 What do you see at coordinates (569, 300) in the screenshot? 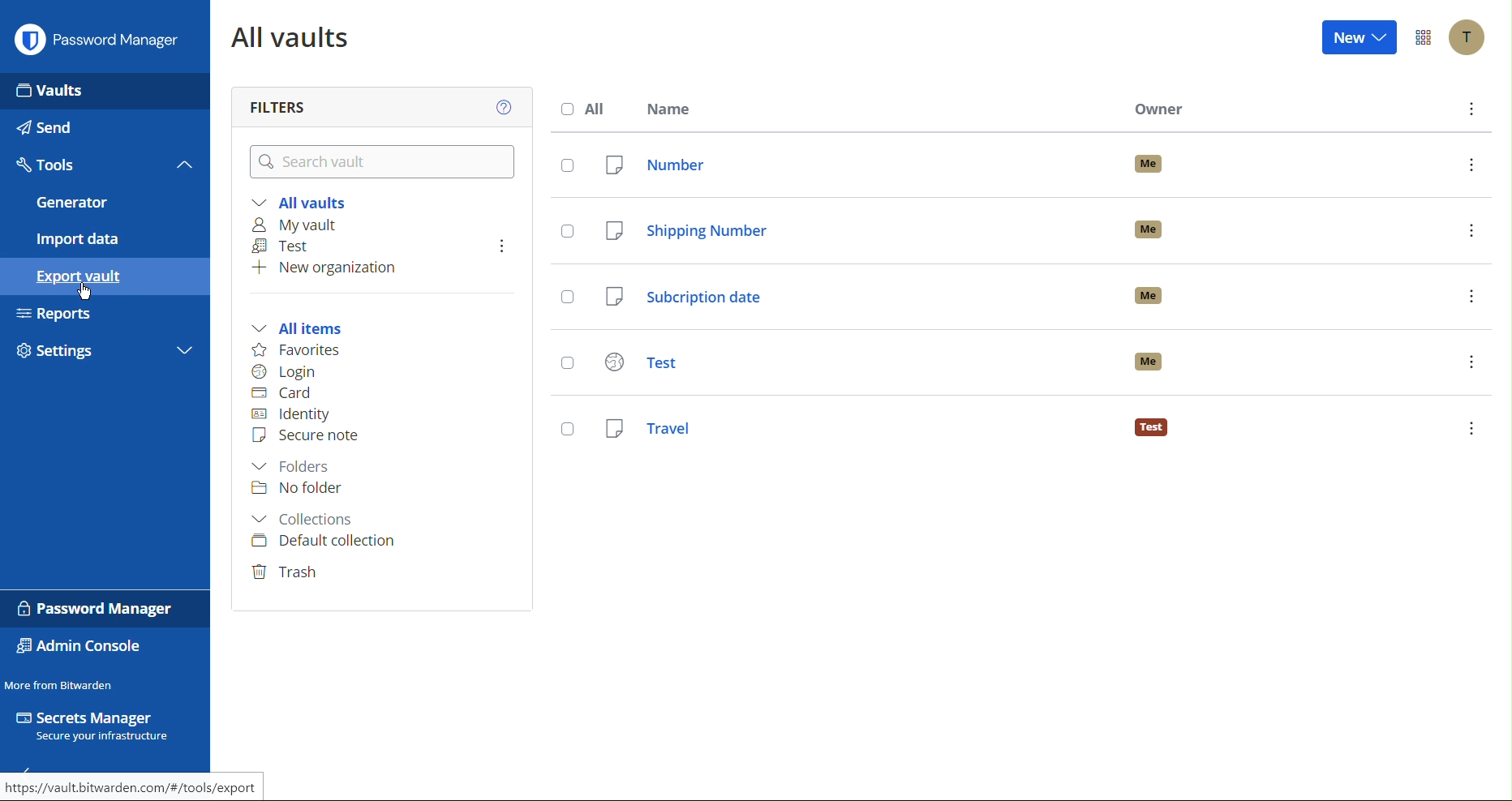
I see `` at bounding box center [569, 300].